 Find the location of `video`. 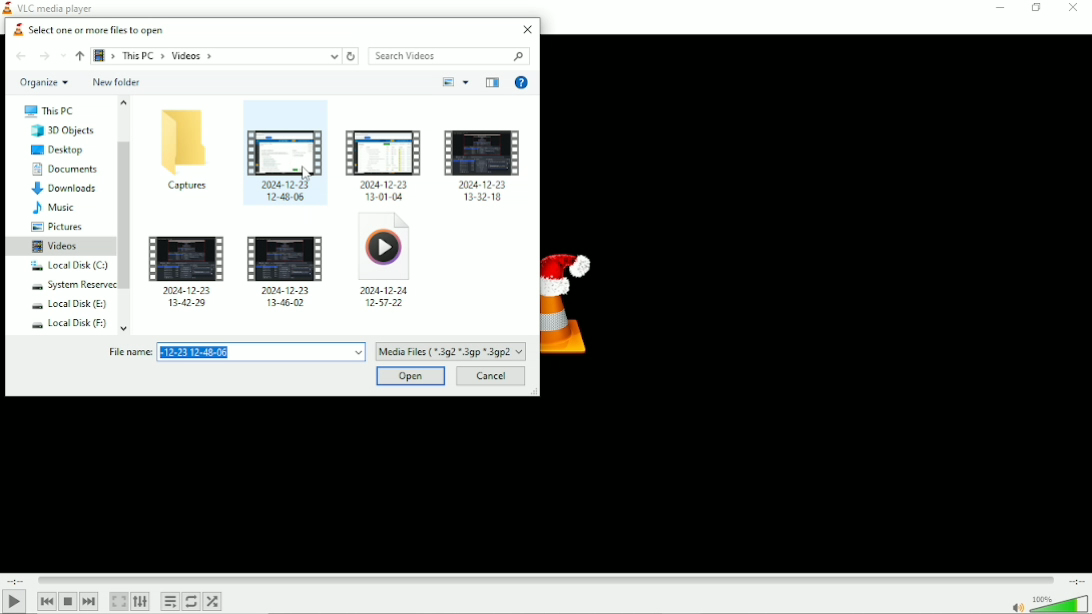

video is located at coordinates (288, 268).